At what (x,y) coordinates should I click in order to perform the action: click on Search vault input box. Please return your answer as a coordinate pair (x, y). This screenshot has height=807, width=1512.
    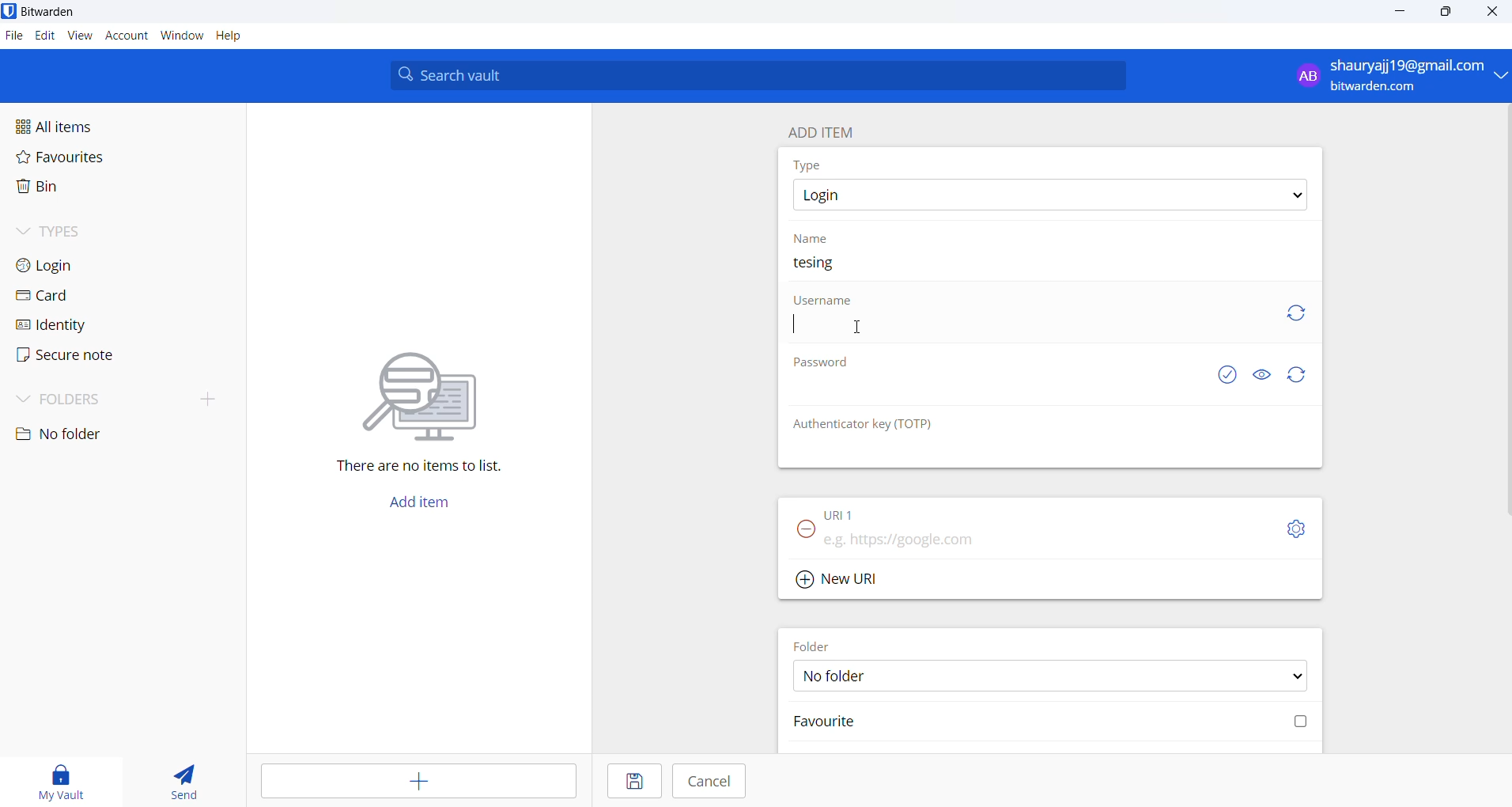
    Looking at the image, I should click on (753, 75).